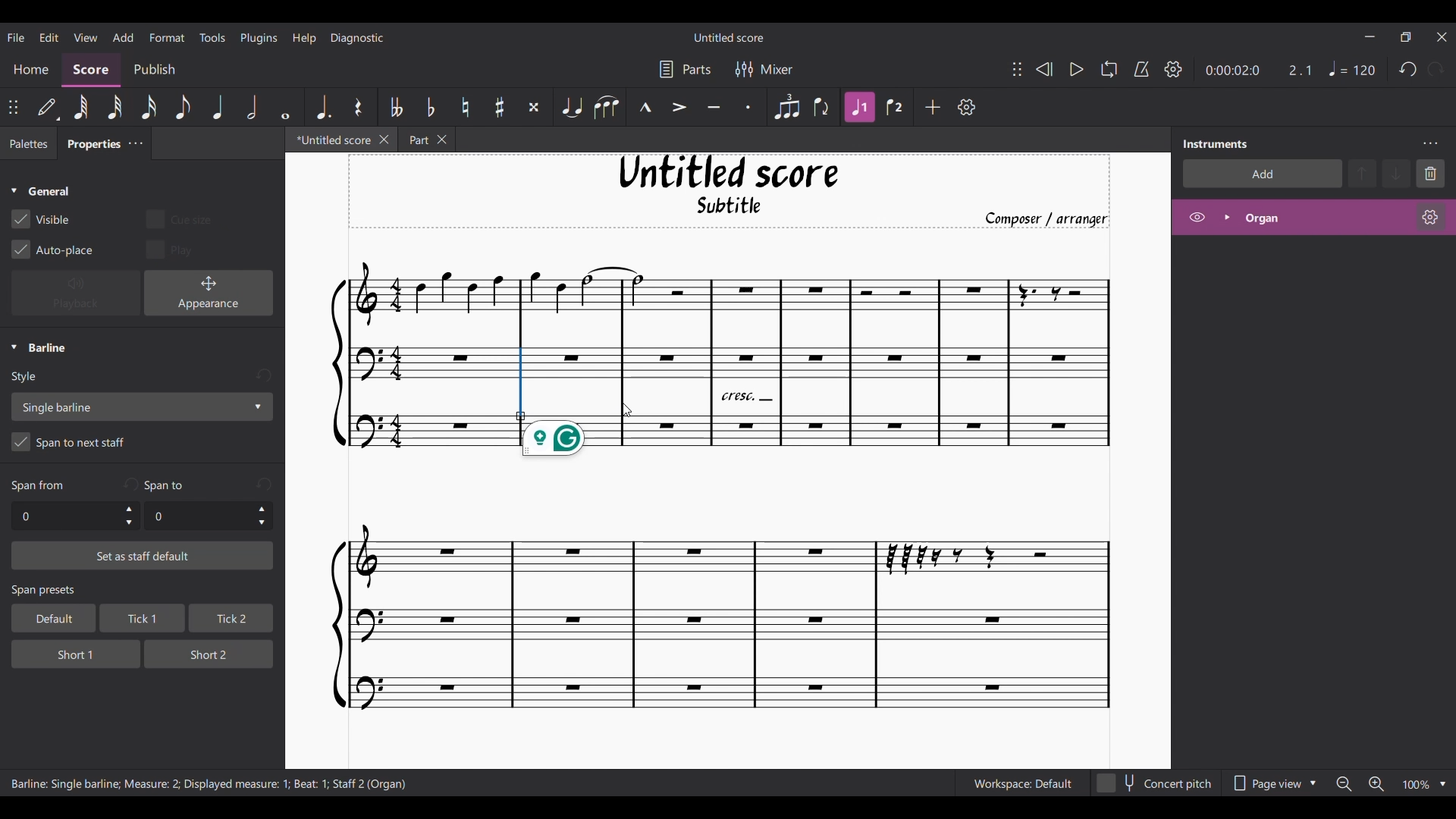 This screenshot has height=819, width=1456. Describe the element at coordinates (1324, 218) in the screenshot. I see `Organ` at that location.